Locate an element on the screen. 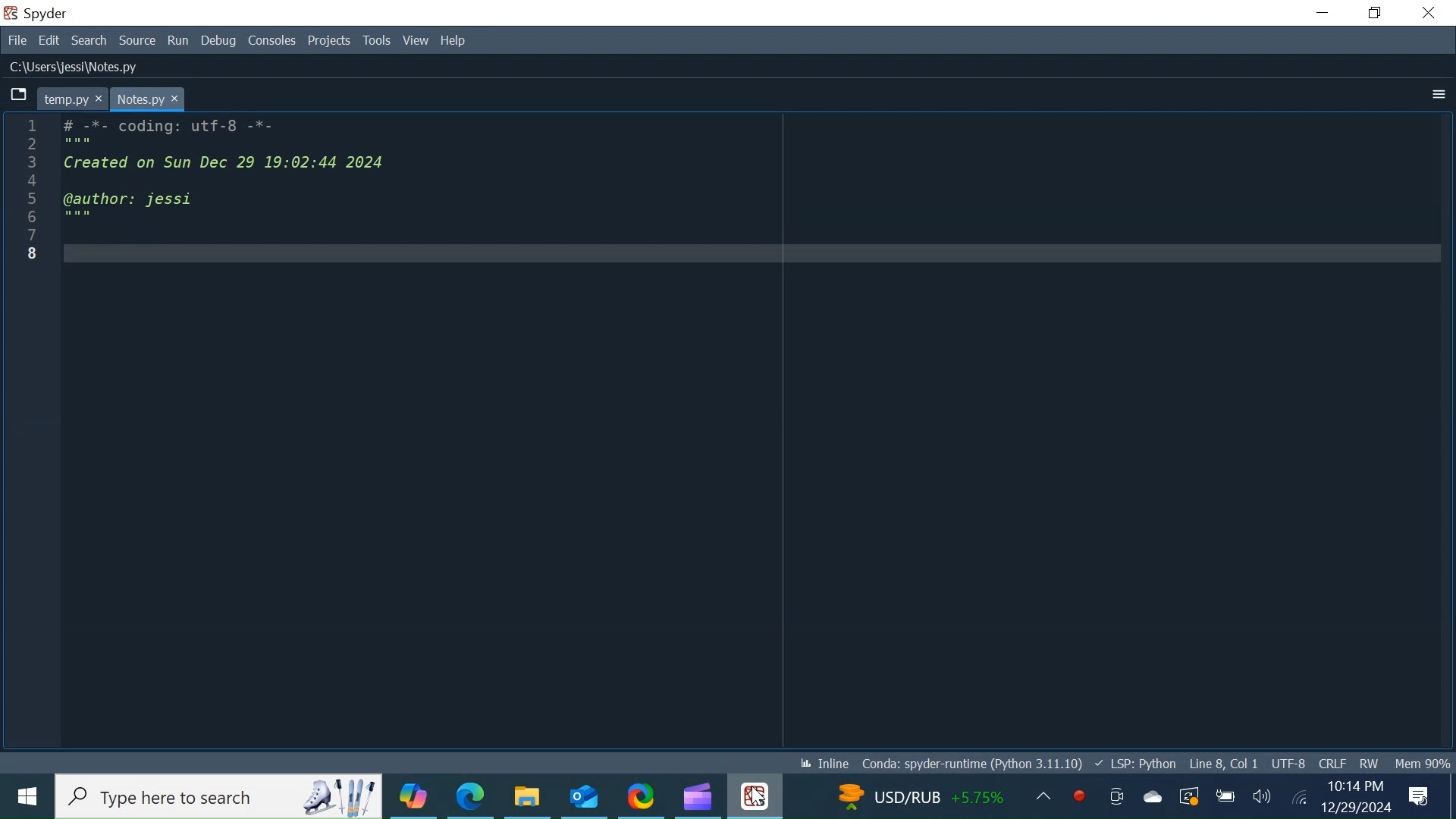 The height and width of the screenshot is (819, 1456). OneDrive is located at coordinates (1150, 794).